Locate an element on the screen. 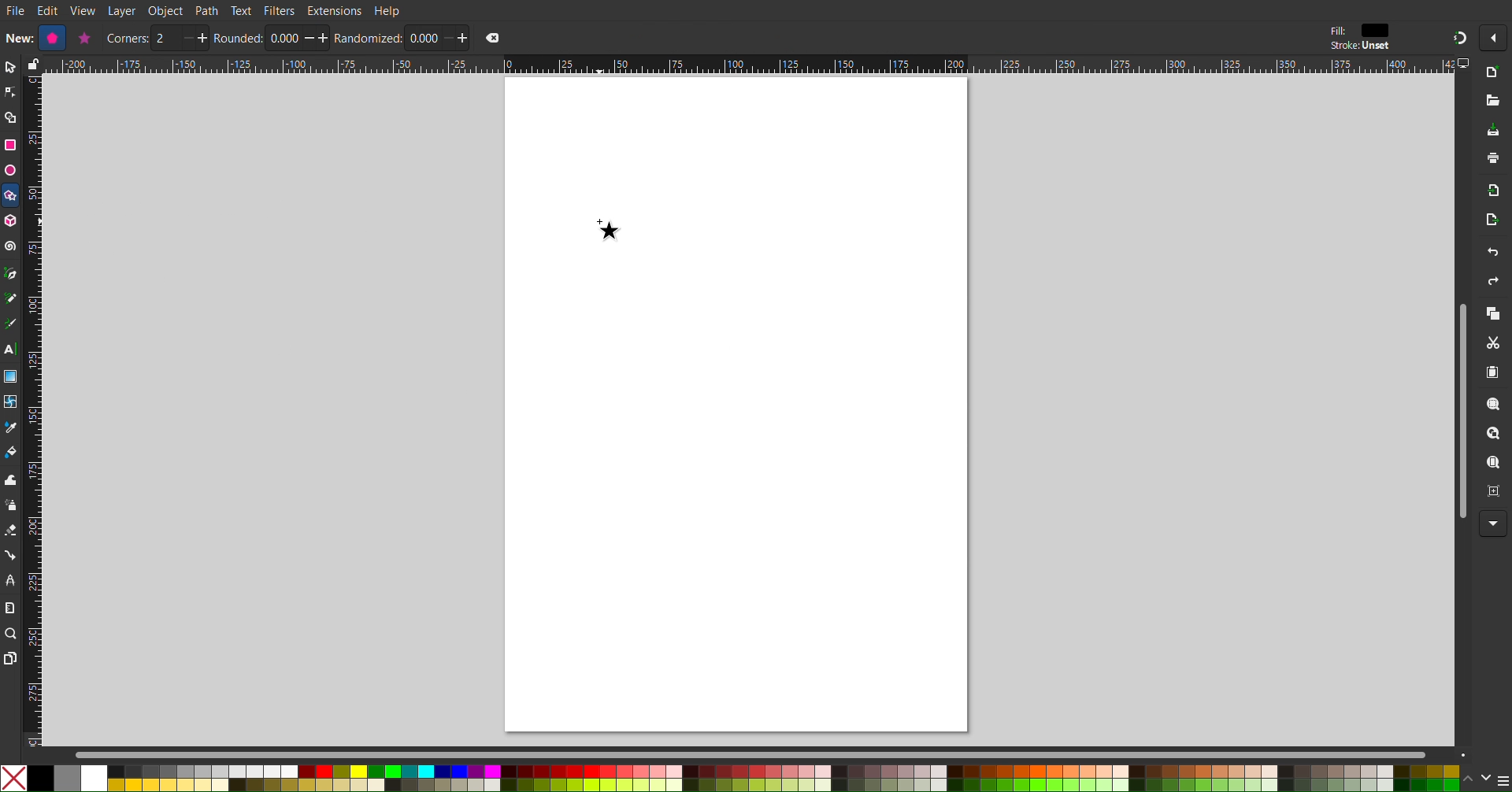 This screenshot has width=1512, height=792. New is located at coordinates (1495, 73).